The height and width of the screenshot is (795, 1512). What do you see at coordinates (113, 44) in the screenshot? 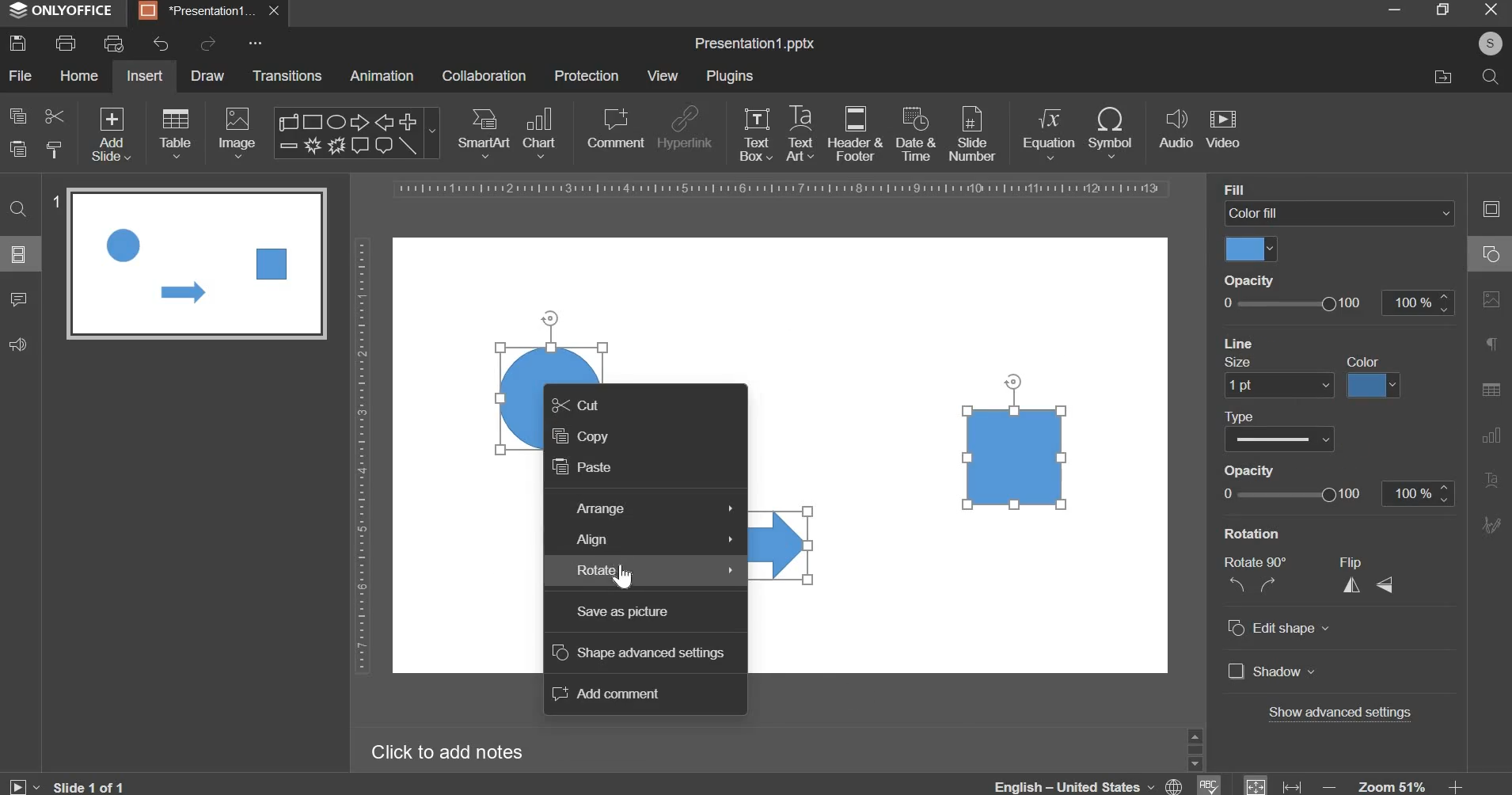
I see `print preview` at bounding box center [113, 44].